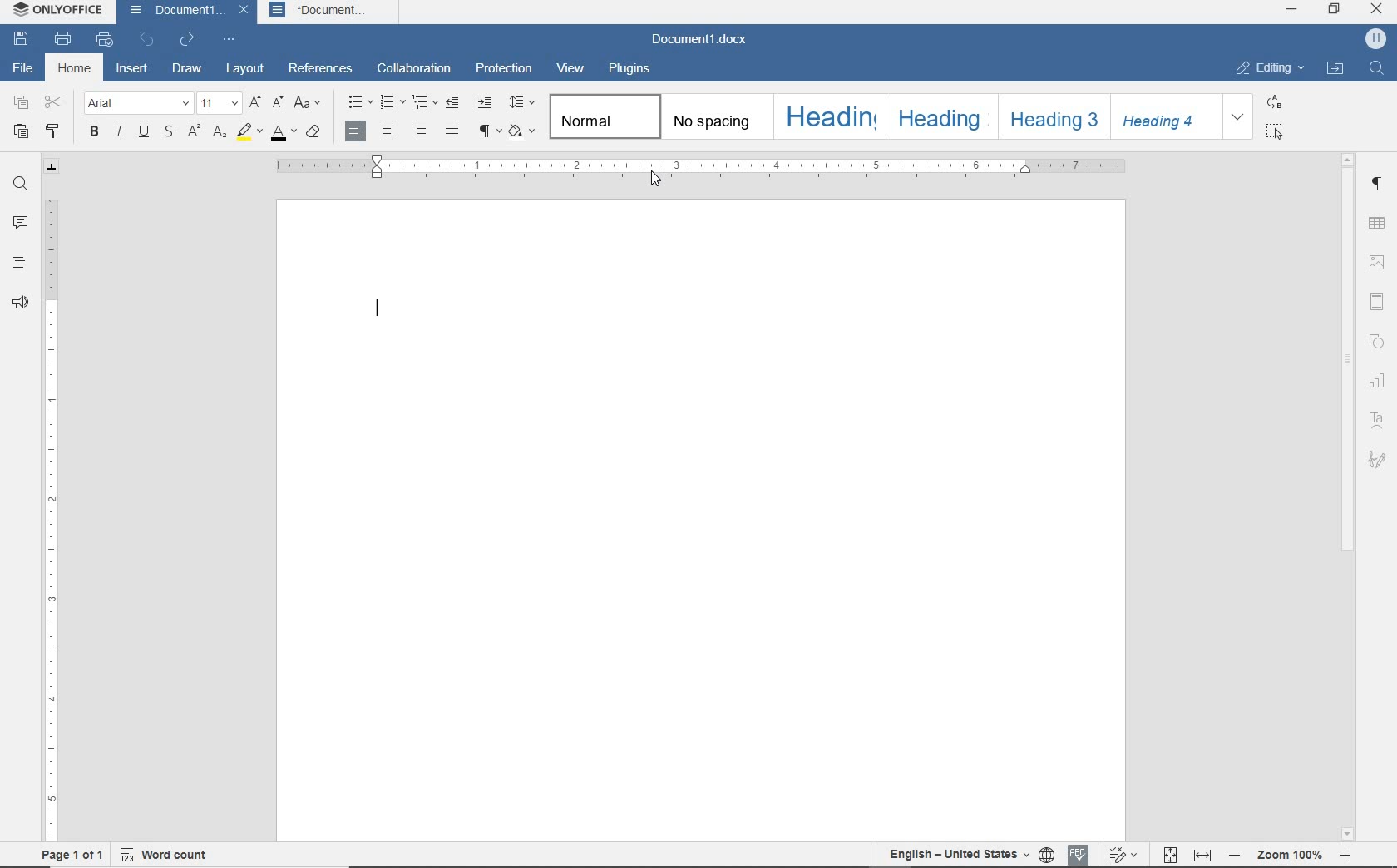 Image resolution: width=1397 pixels, height=868 pixels. Describe the element at coordinates (142, 133) in the screenshot. I see `UNDERLINE` at that location.